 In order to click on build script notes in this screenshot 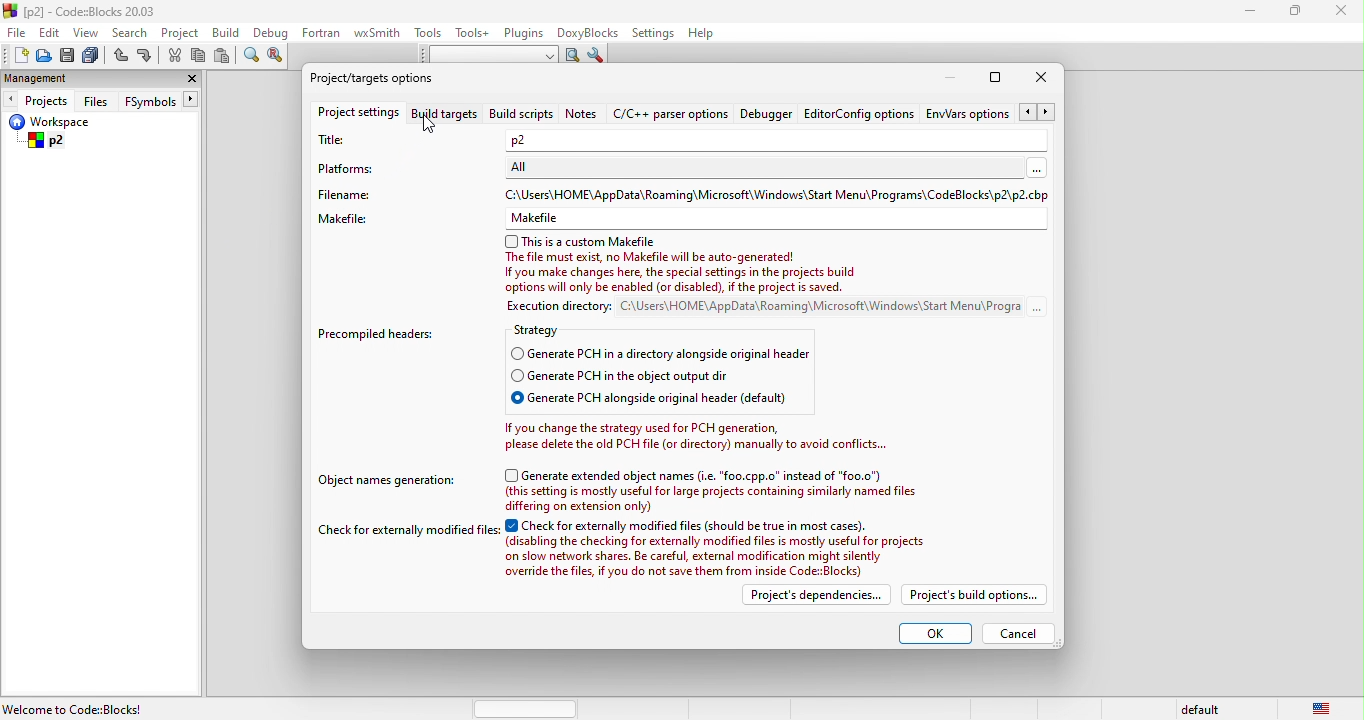, I will do `click(521, 115)`.